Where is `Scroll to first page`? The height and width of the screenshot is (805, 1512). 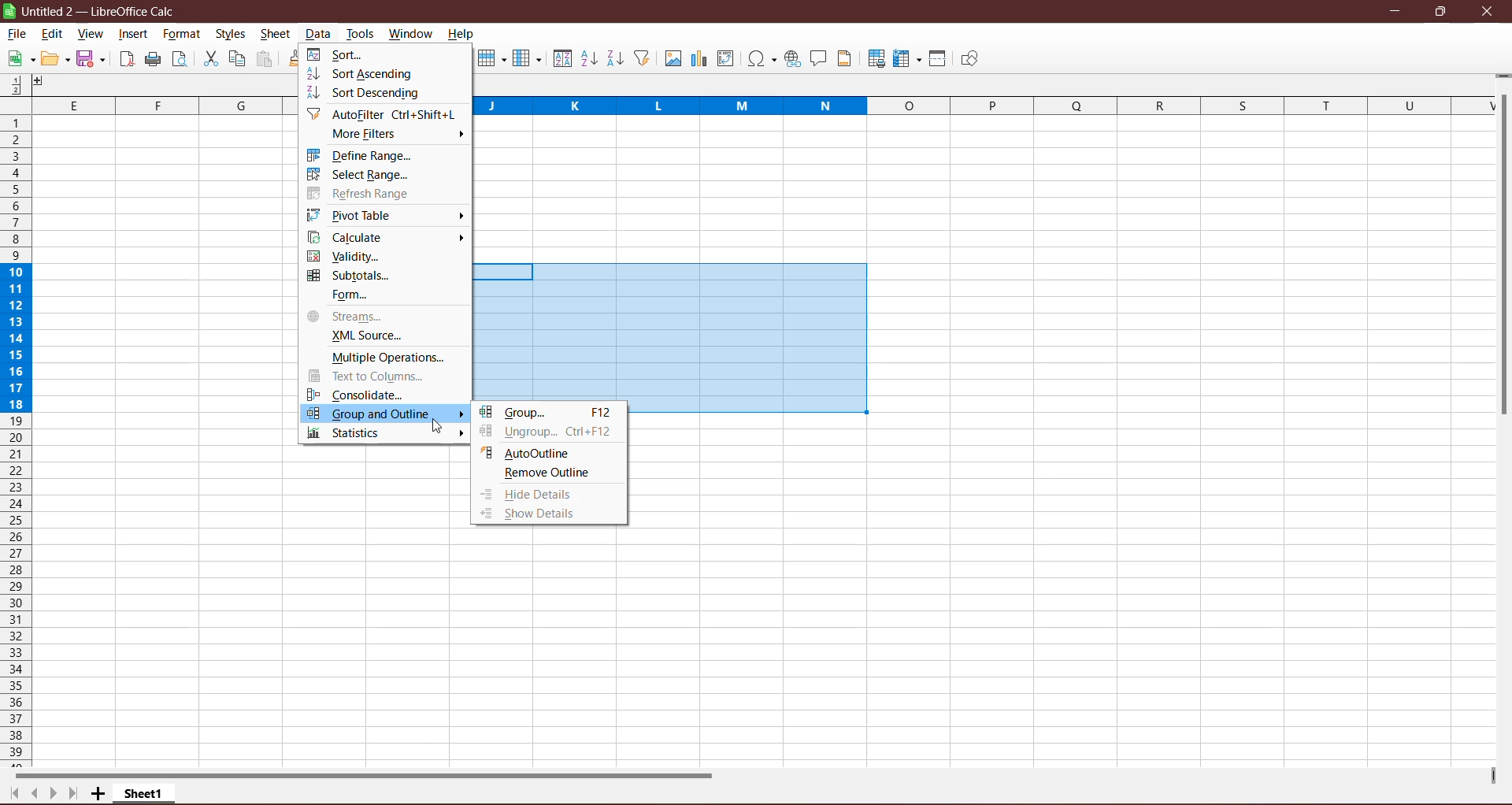
Scroll to first page is located at coordinates (11, 794).